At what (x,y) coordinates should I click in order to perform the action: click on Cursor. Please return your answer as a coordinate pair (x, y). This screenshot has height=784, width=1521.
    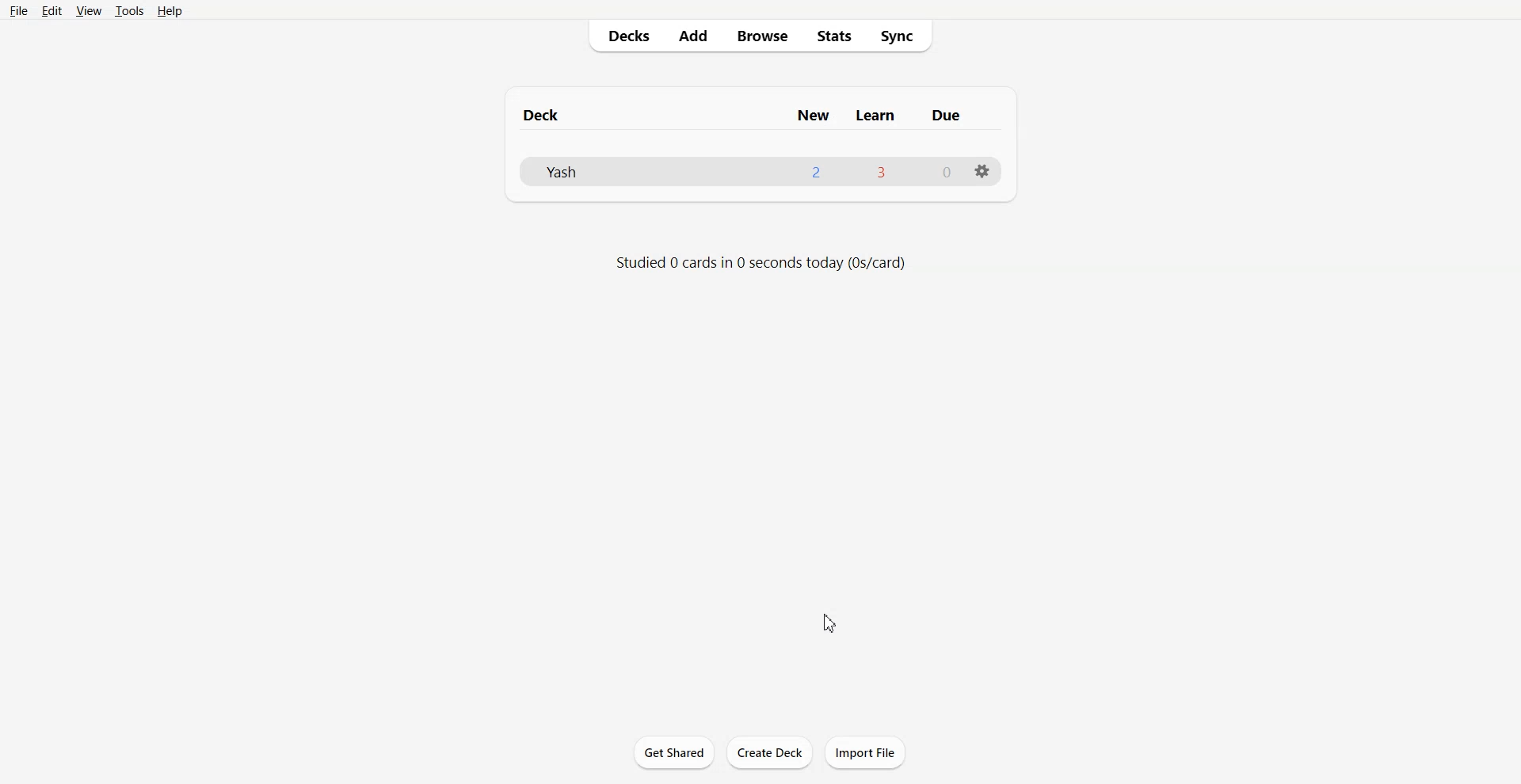
    Looking at the image, I should click on (831, 622).